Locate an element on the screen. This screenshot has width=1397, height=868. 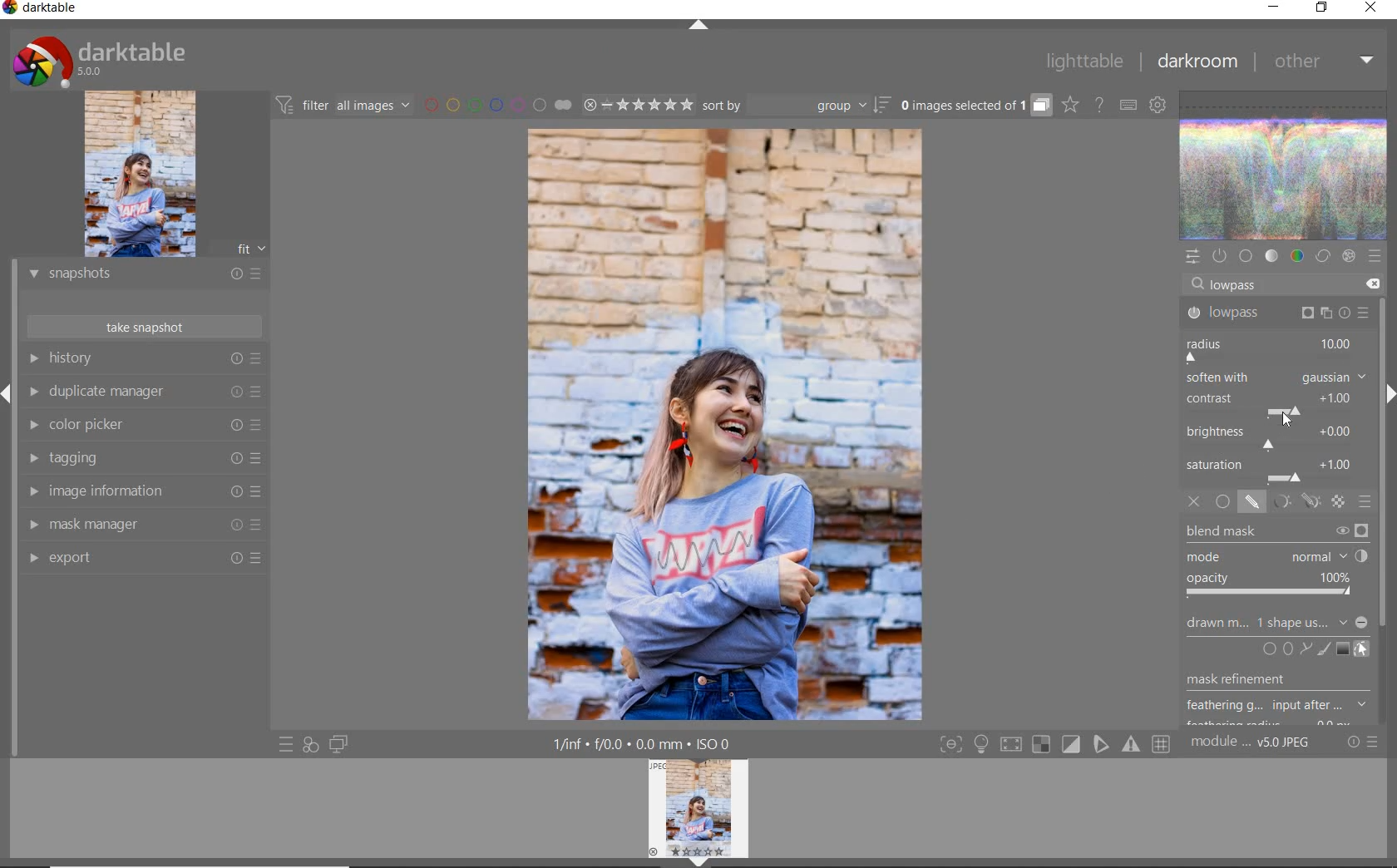
soften with is located at coordinates (1276, 377).